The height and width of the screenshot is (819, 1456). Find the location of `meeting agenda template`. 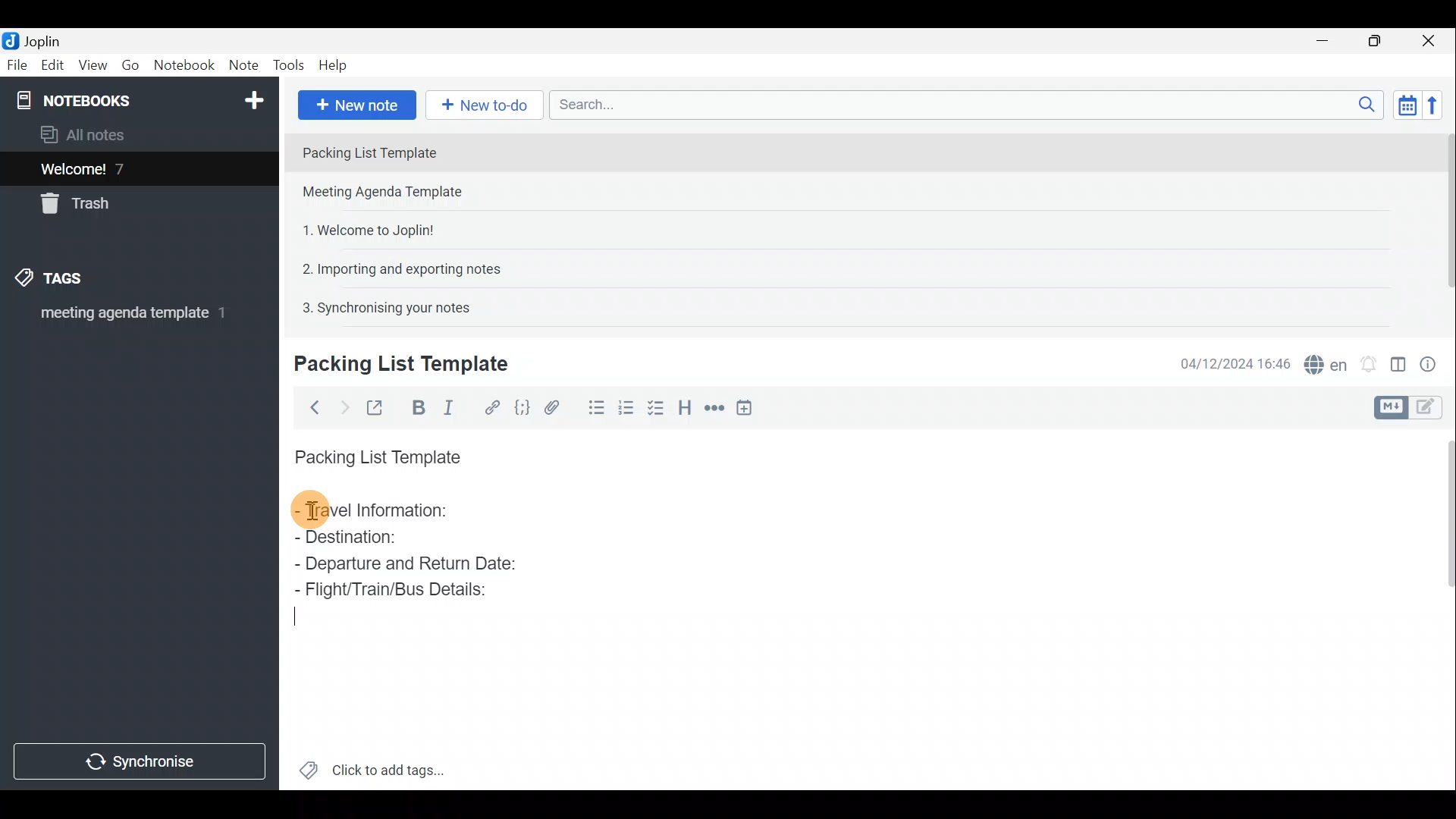

meeting agenda template is located at coordinates (130, 318).